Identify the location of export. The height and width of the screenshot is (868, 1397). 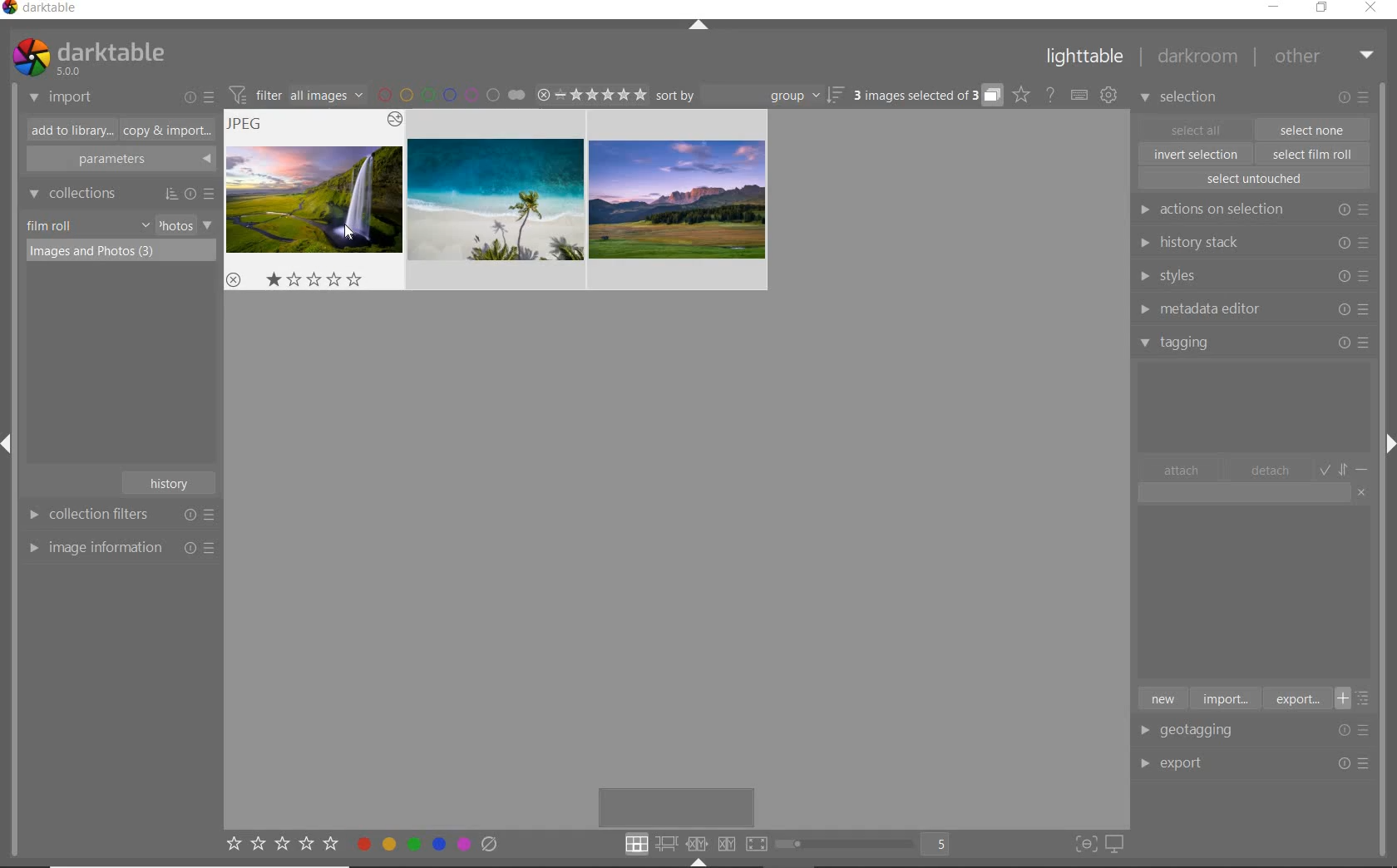
(1296, 698).